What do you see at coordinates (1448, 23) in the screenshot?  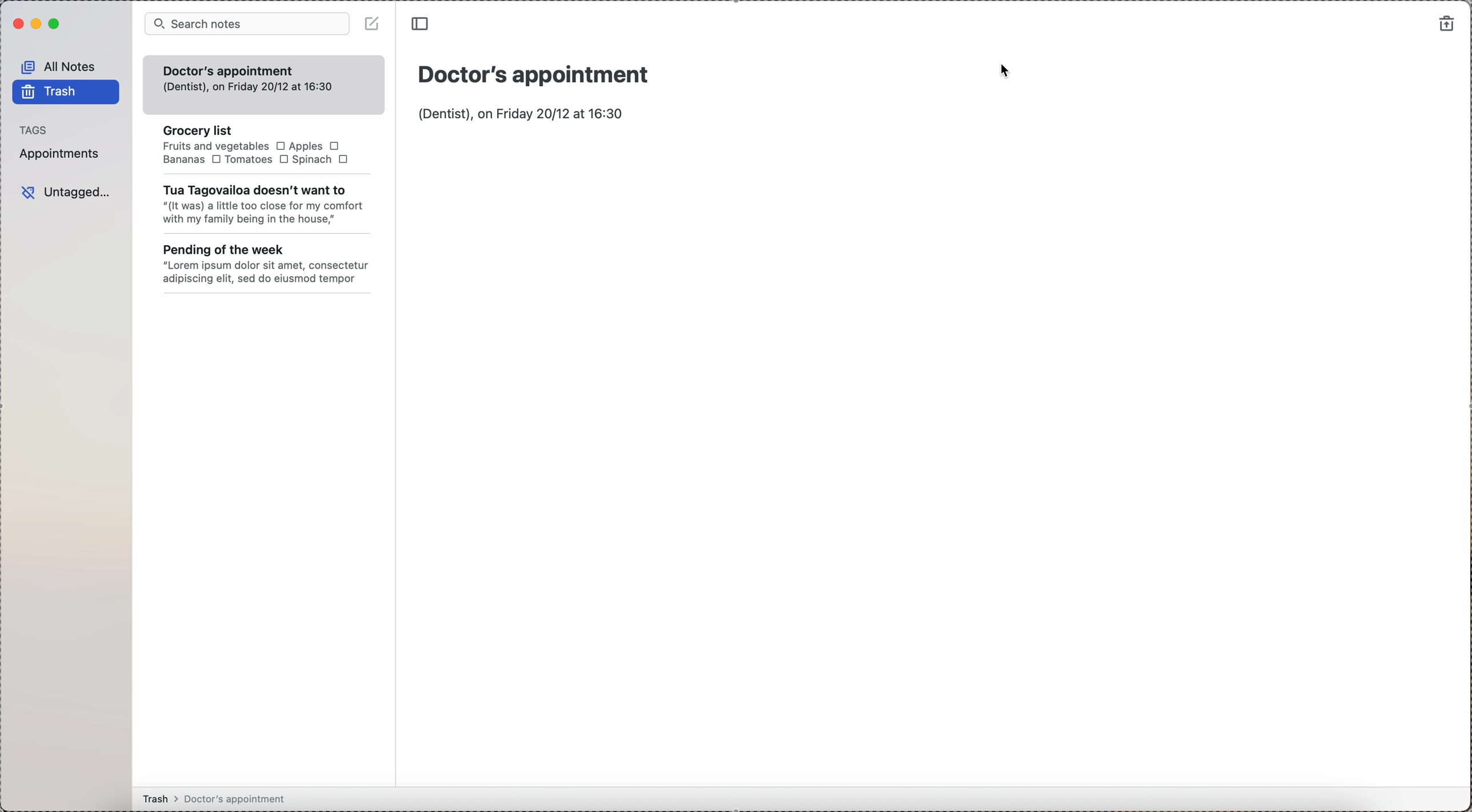 I see `restore notes` at bounding box center [1448, 23].